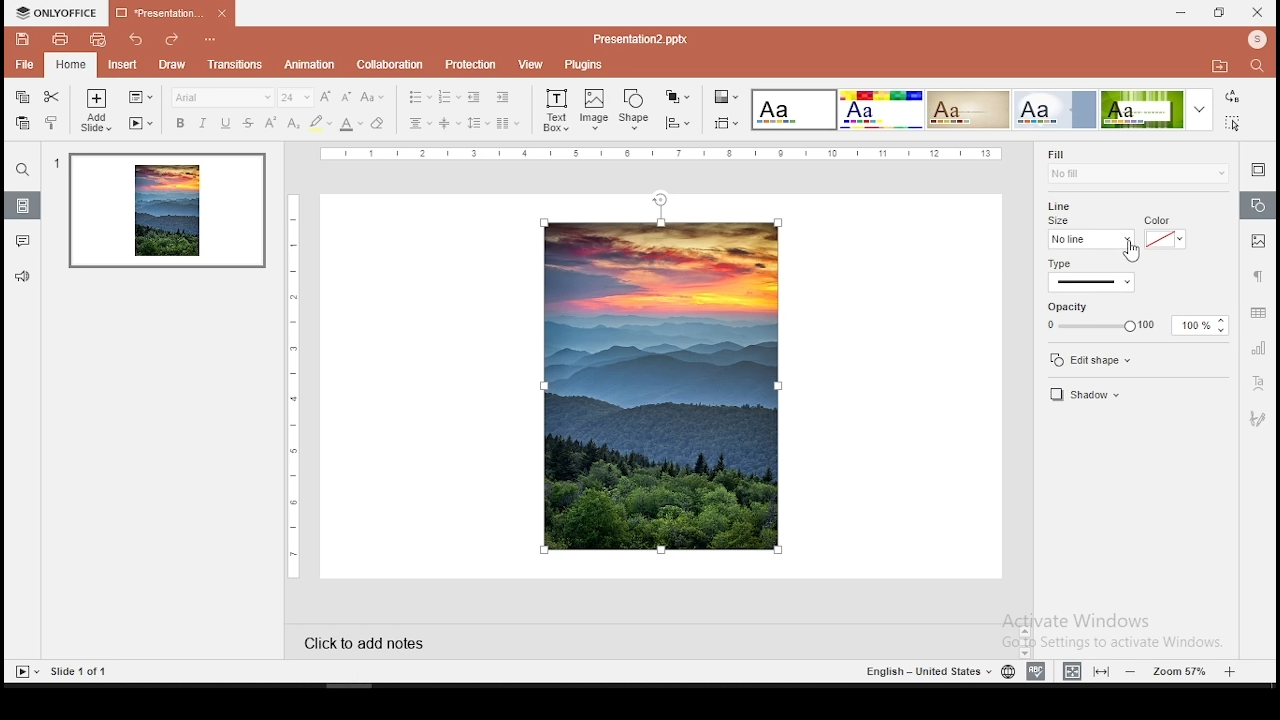  Describe the element at coordinates (448, 96) in the screenshot. I see `numbering` at that location.